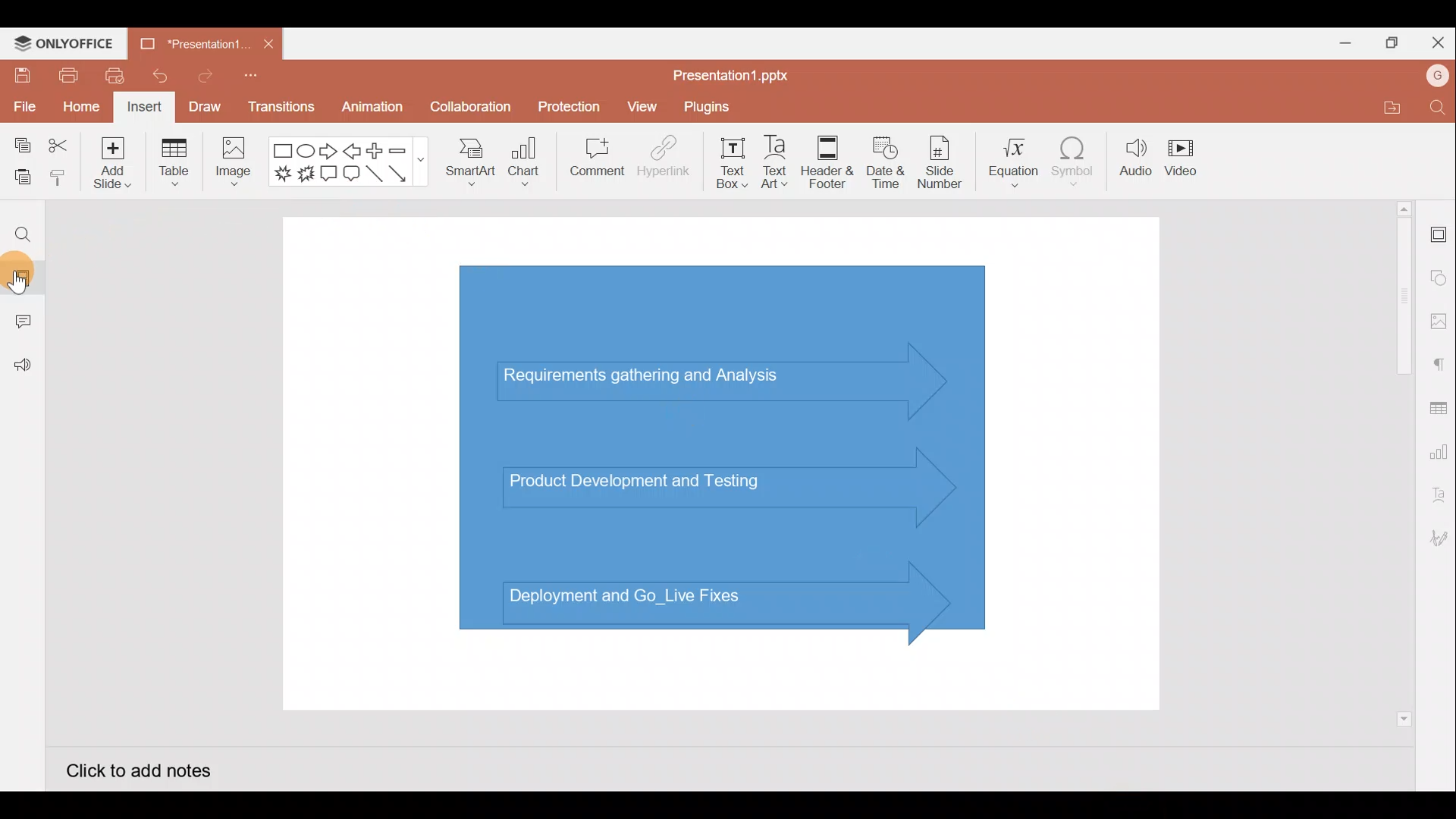 This screenshot has height=819, width=1456. Describe the element at coordinates (1437, 500) in the screenshot. I see `Text Art settings` at that location.